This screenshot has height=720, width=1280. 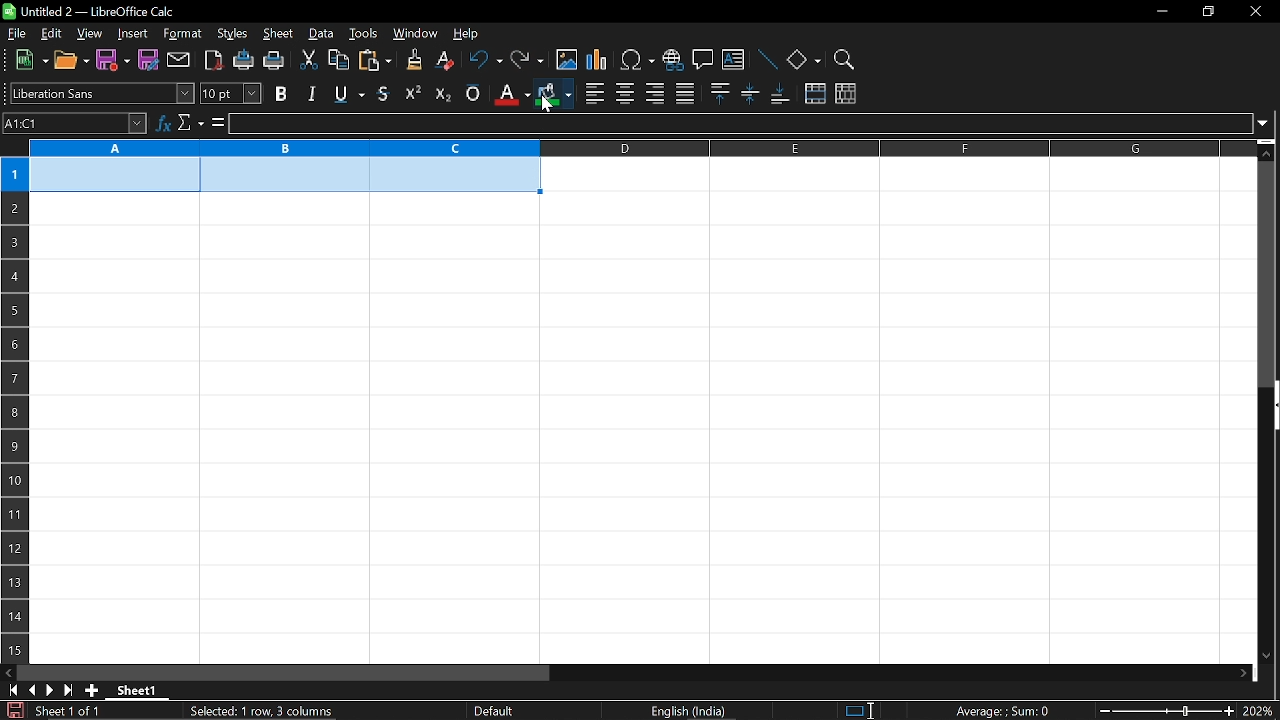 I want to click on save as, so click(x=148, y=59).